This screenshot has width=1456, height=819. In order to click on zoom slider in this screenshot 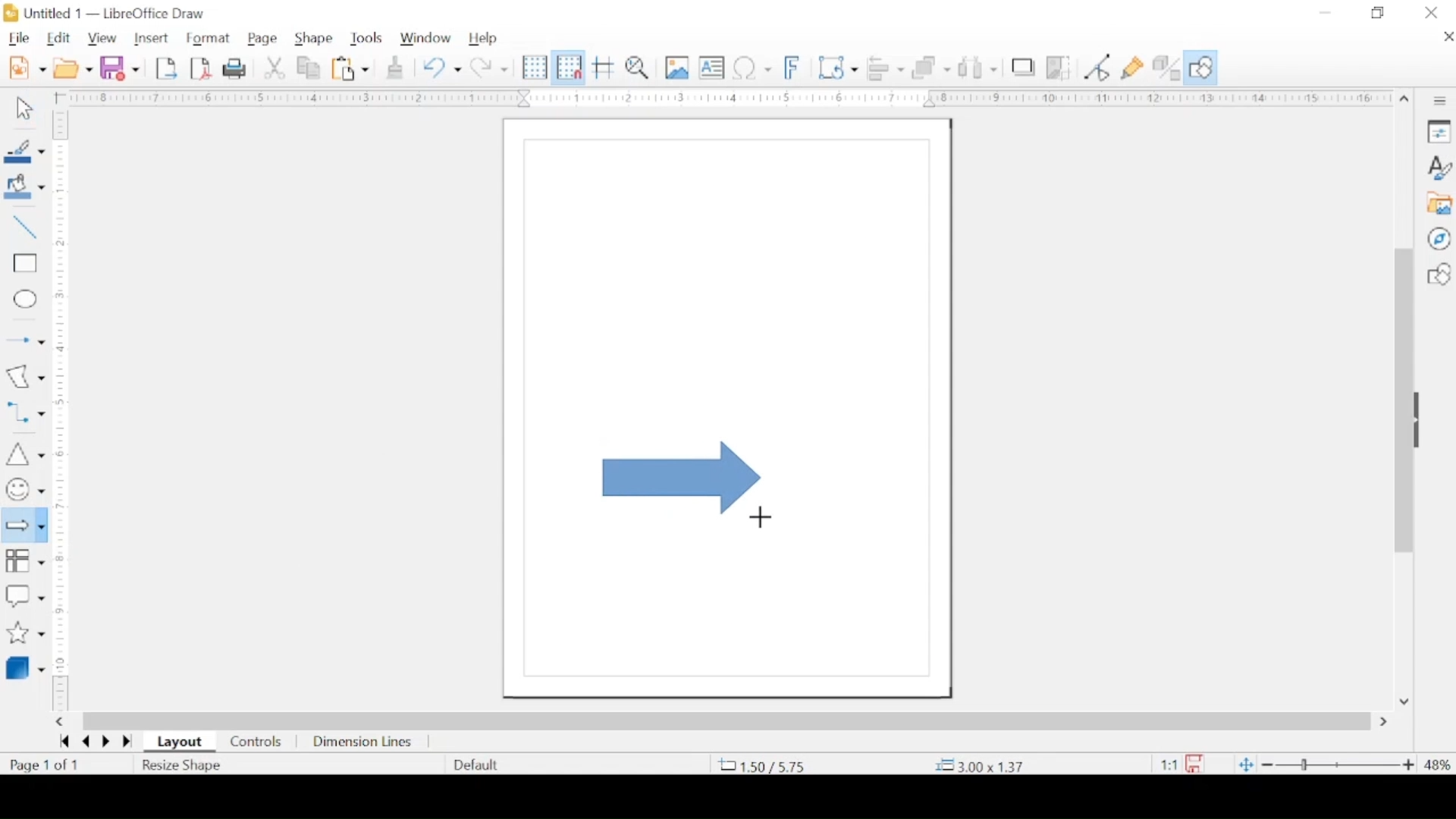, I will do `click(1338, 765)`.